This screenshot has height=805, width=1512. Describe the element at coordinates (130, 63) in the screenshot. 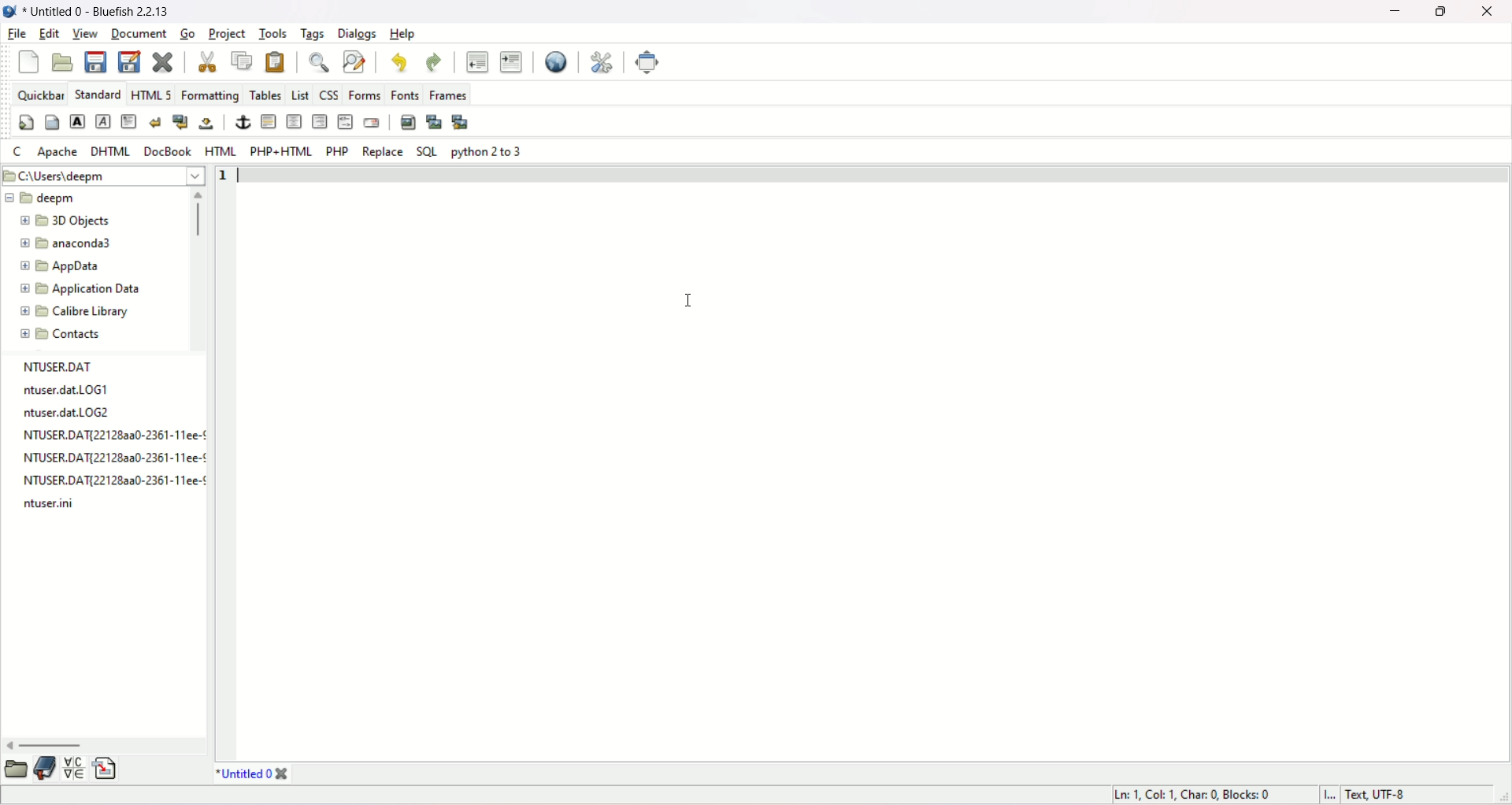

I see `save as` at that location.